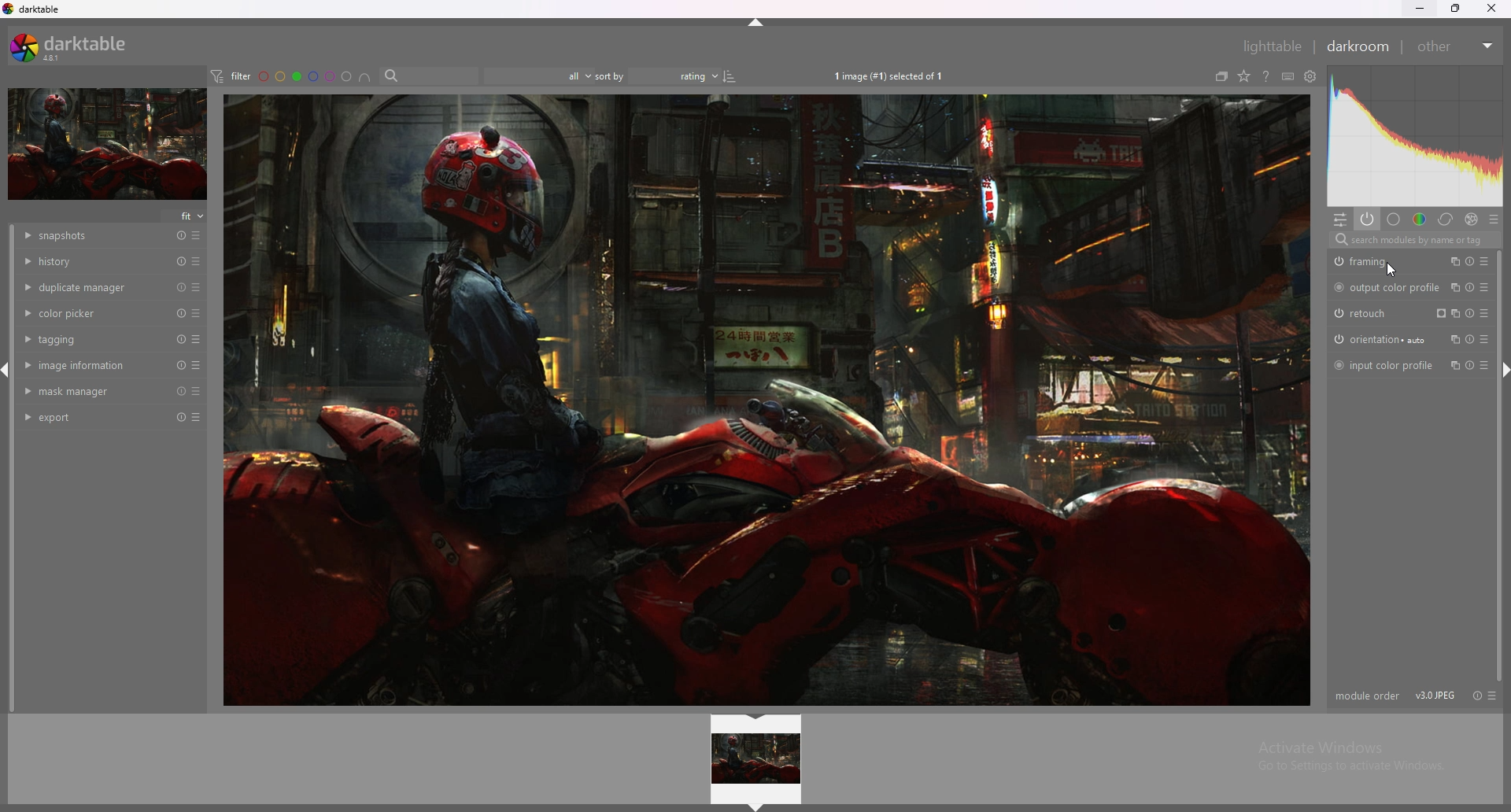 The height and width of the screenshot is (812, 1511). I want to click on snapshots, so click(96, 237).